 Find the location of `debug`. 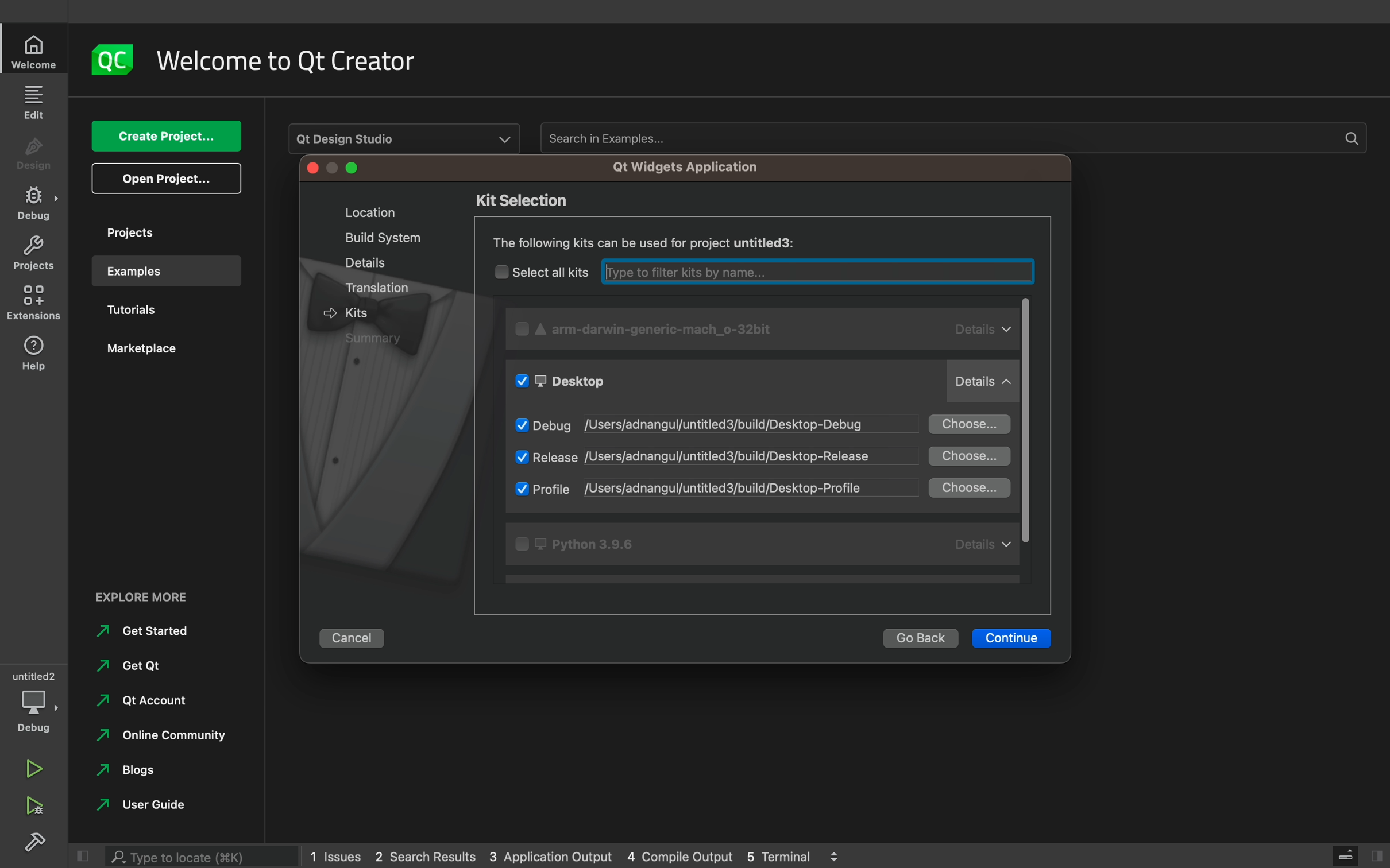

debug is located at coordinates (34, 702).